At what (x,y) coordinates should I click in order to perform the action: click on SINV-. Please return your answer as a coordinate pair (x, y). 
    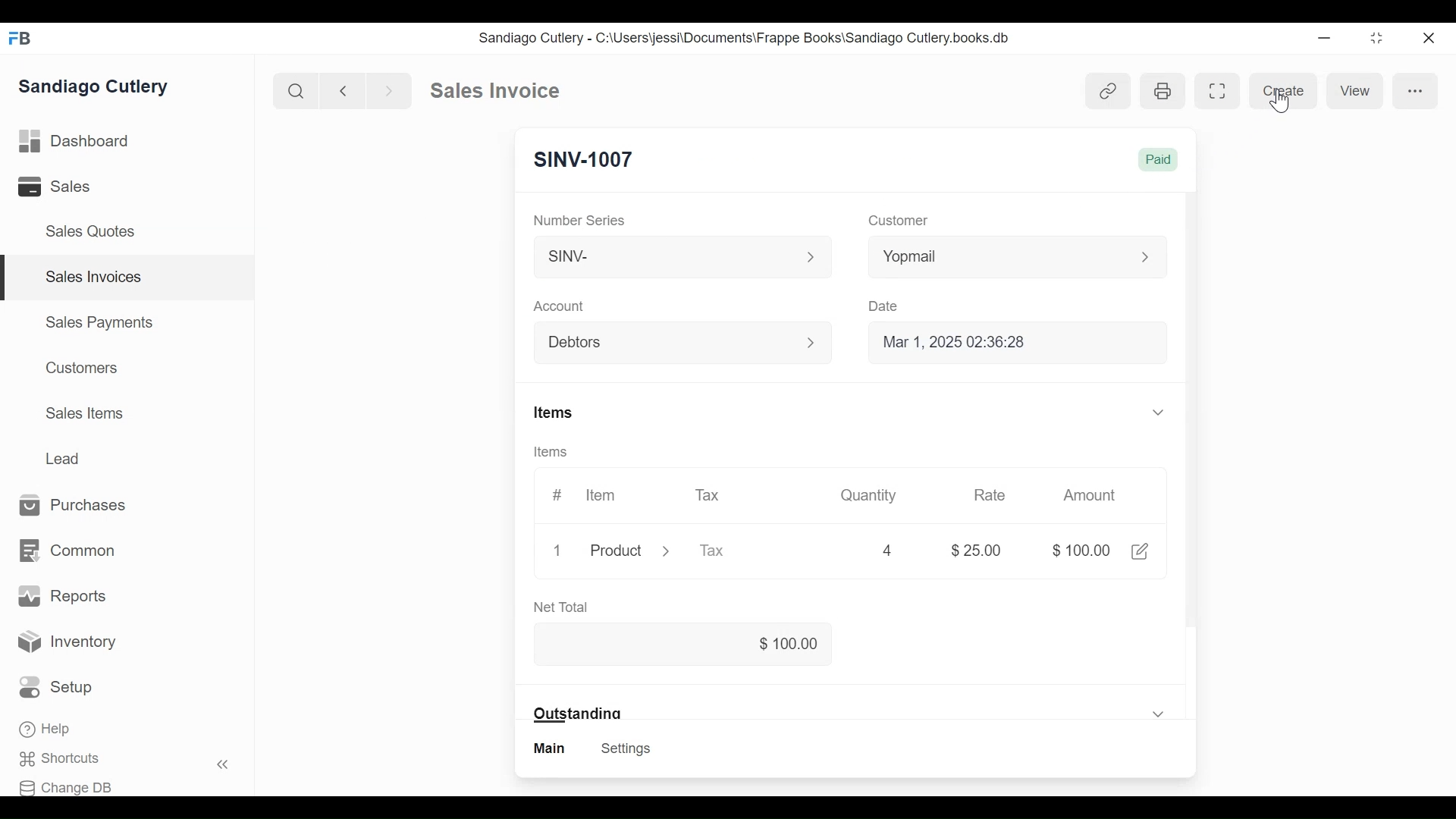
    Looking at the image, I should click on (676, 255).